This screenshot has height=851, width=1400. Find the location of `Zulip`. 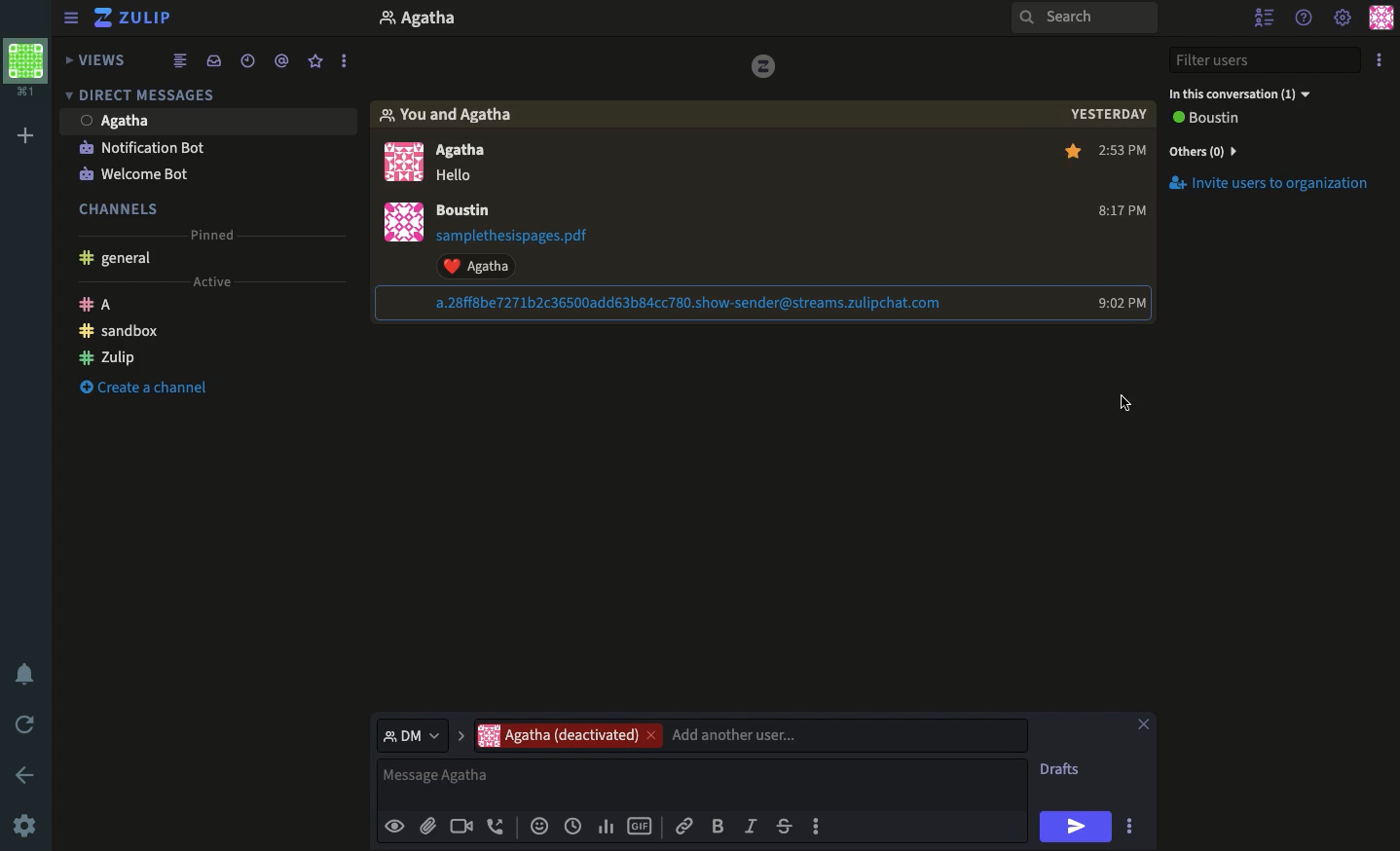

Zulip is located at coordinates (136, 17).